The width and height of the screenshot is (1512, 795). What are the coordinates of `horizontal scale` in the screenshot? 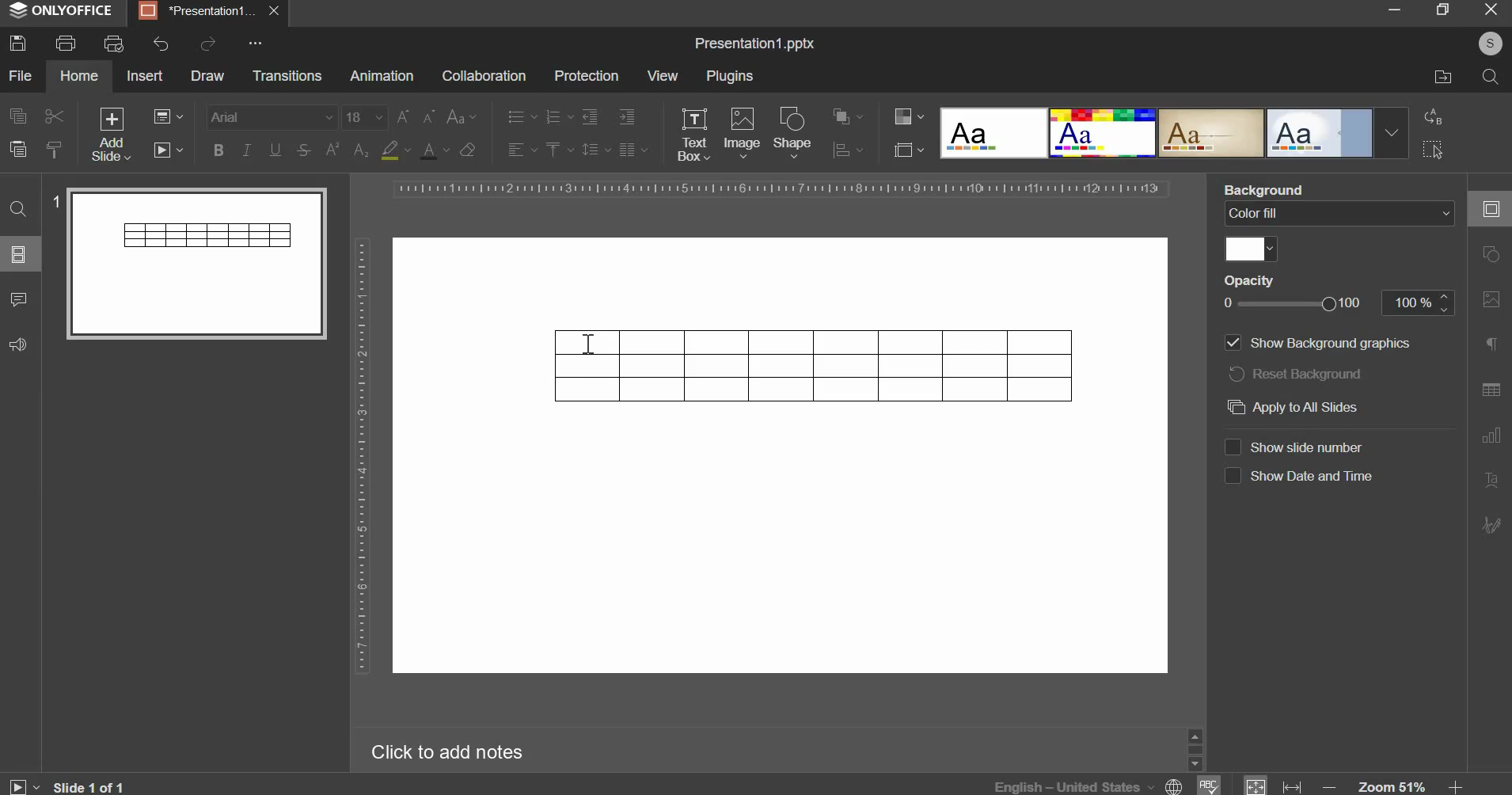 It's located at (780, 188).